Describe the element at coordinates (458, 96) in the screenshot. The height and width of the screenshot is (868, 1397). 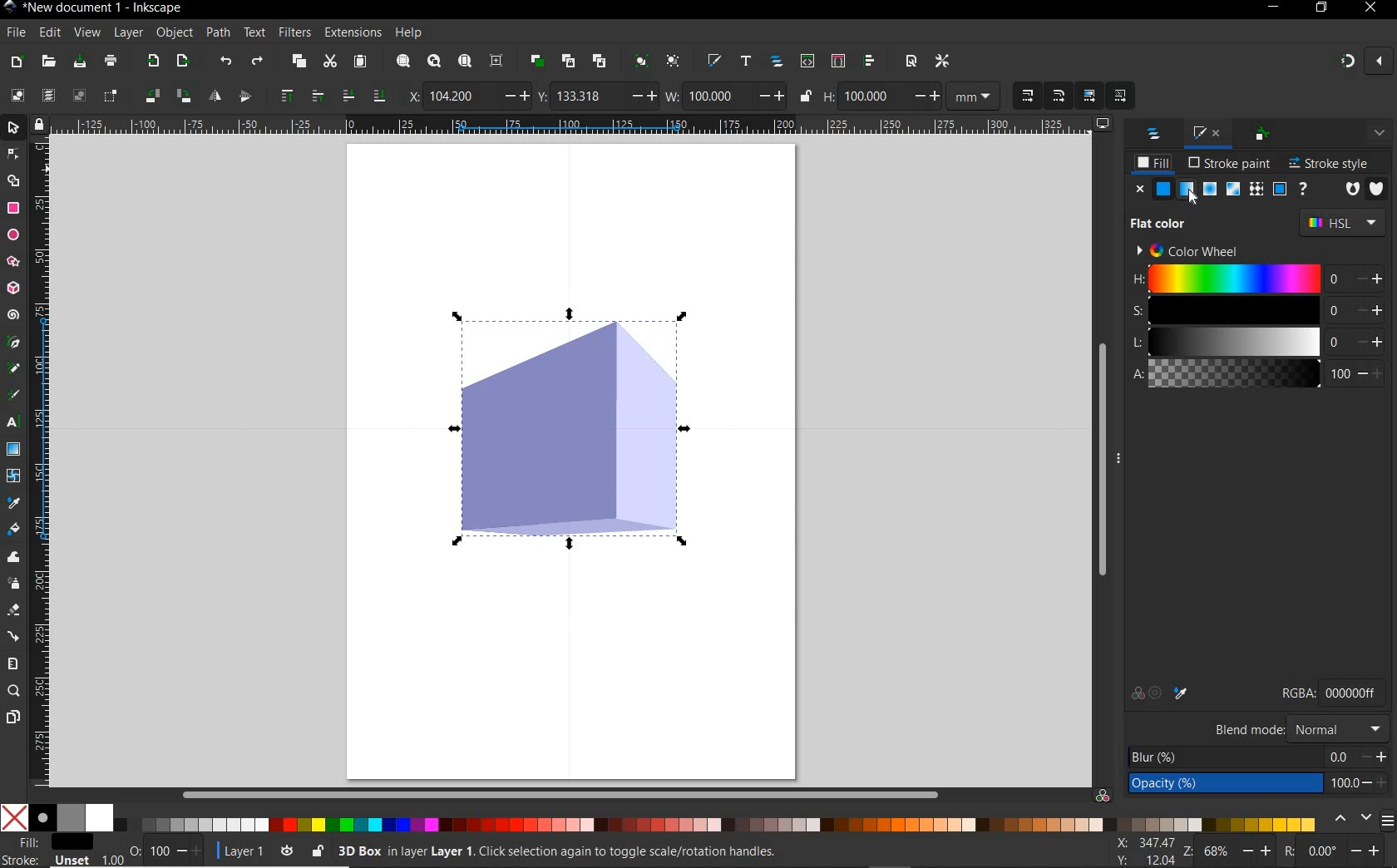
I see `104` at that location.